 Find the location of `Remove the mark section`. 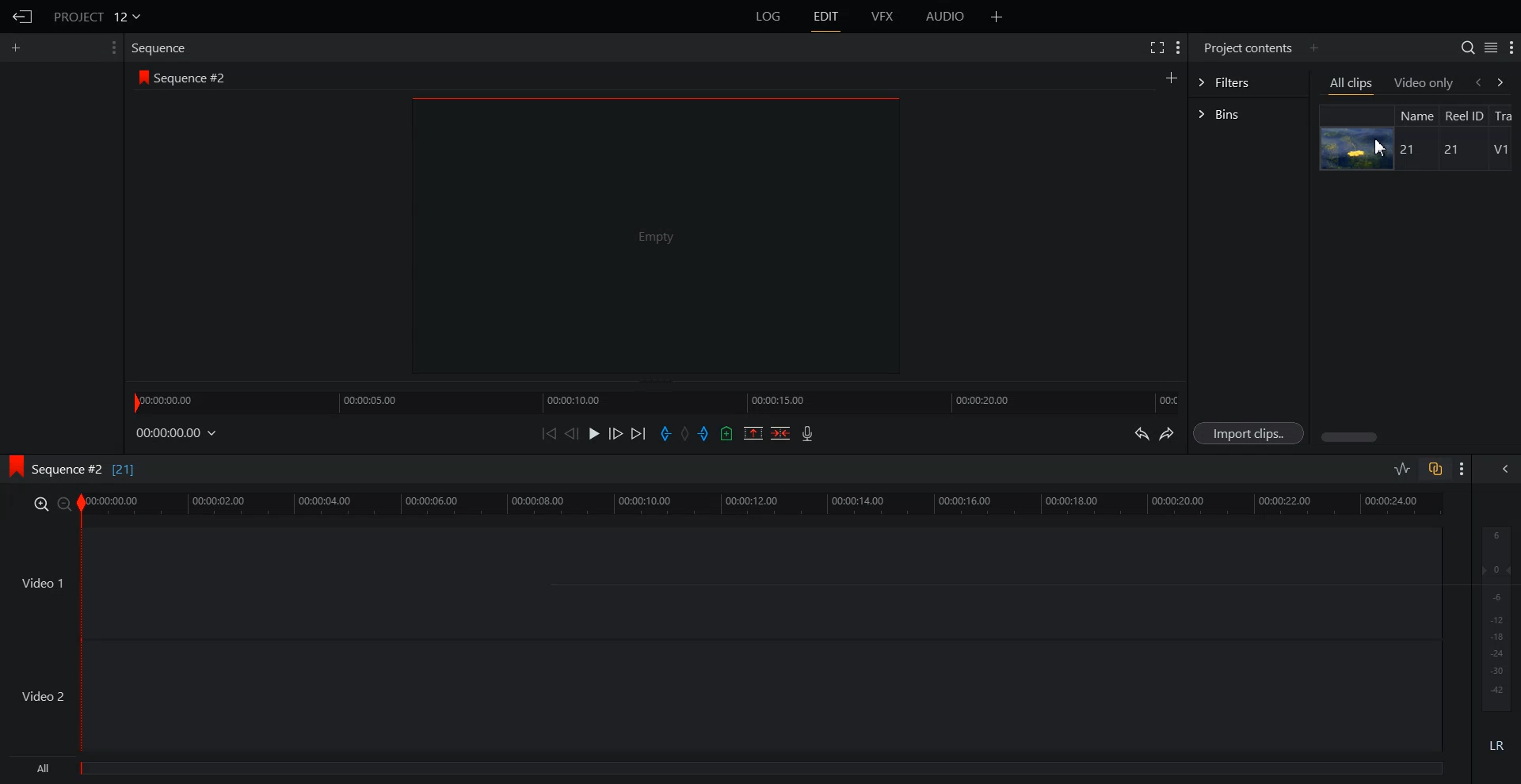

Remove the mark section is located at coordinates (753, 433).